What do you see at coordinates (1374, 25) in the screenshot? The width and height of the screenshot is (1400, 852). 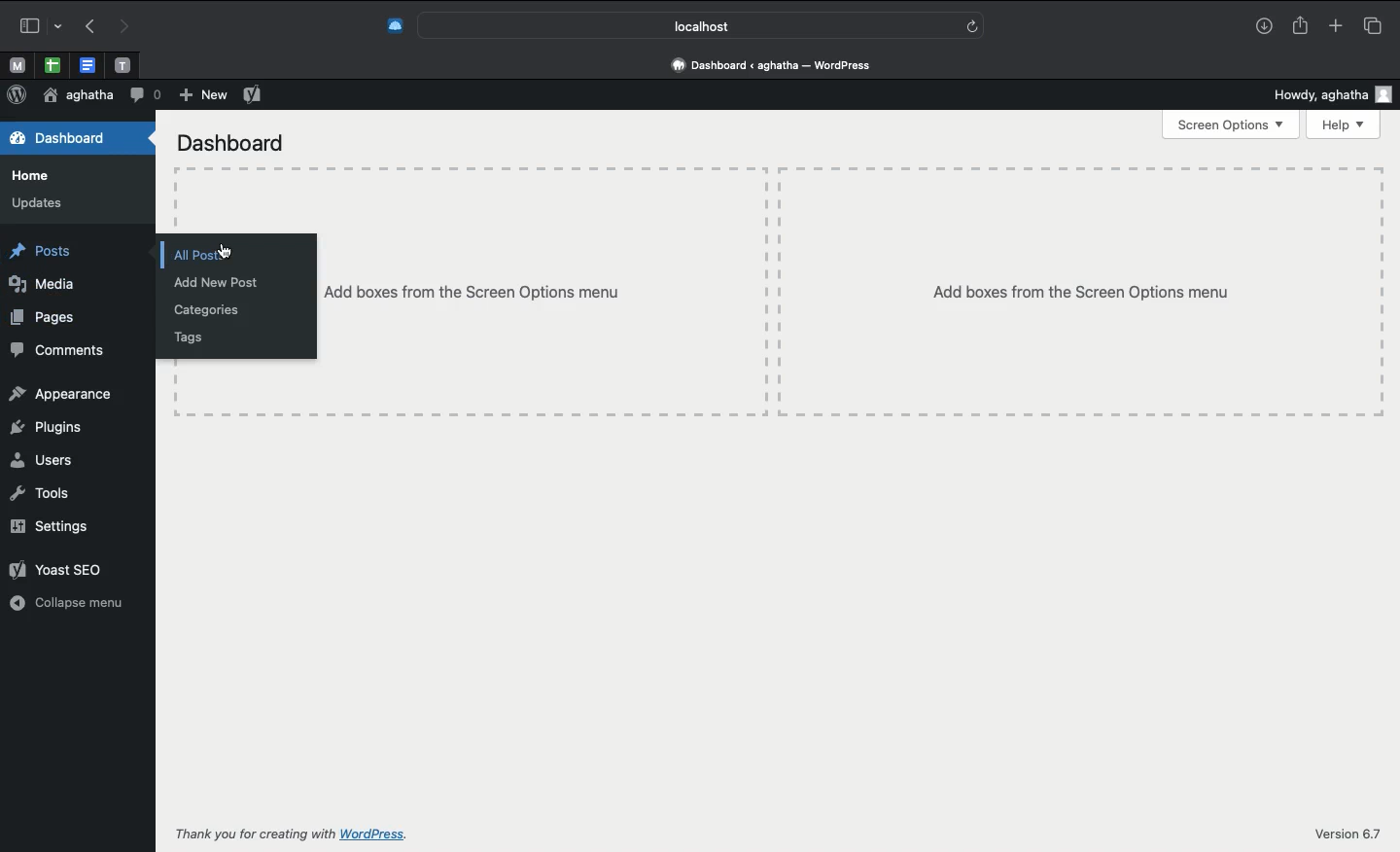 I see `Tabs` at bounding box center [1374, 25].